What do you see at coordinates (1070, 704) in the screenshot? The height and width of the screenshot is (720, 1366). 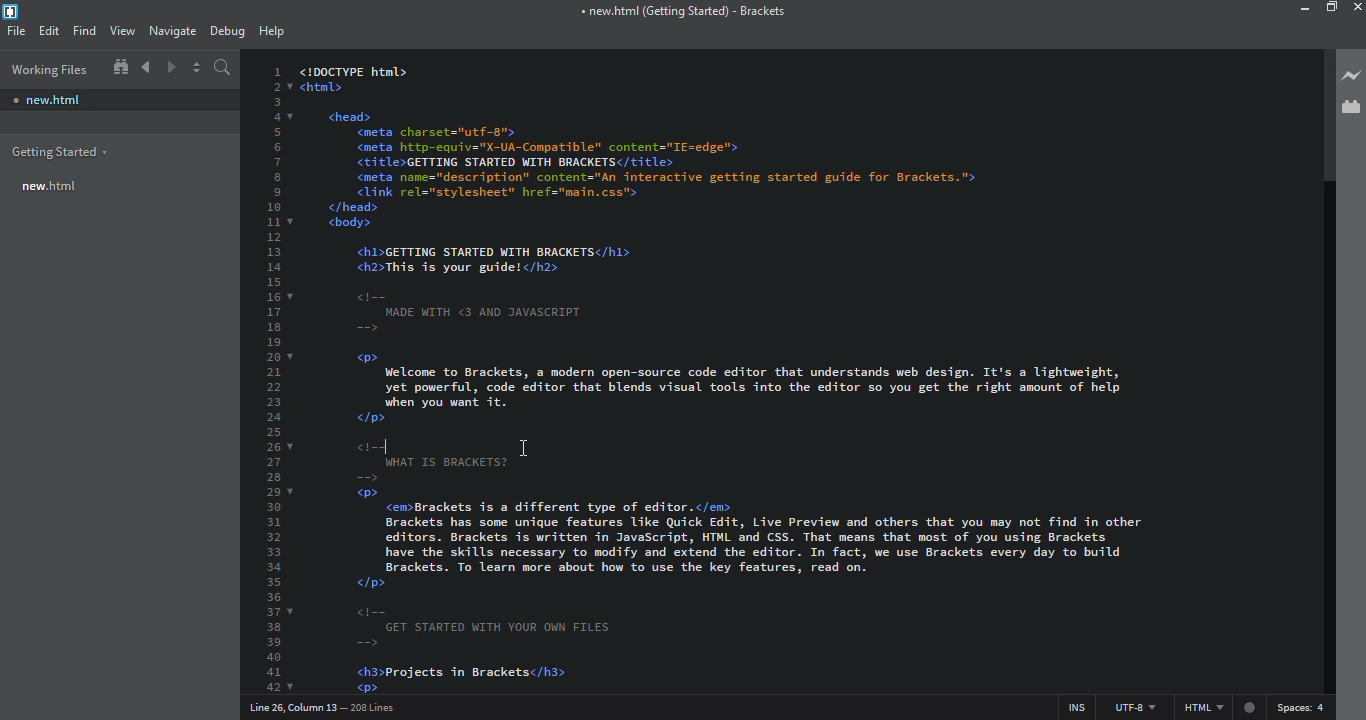 I see `ins` at bounding box center [1070, 704].